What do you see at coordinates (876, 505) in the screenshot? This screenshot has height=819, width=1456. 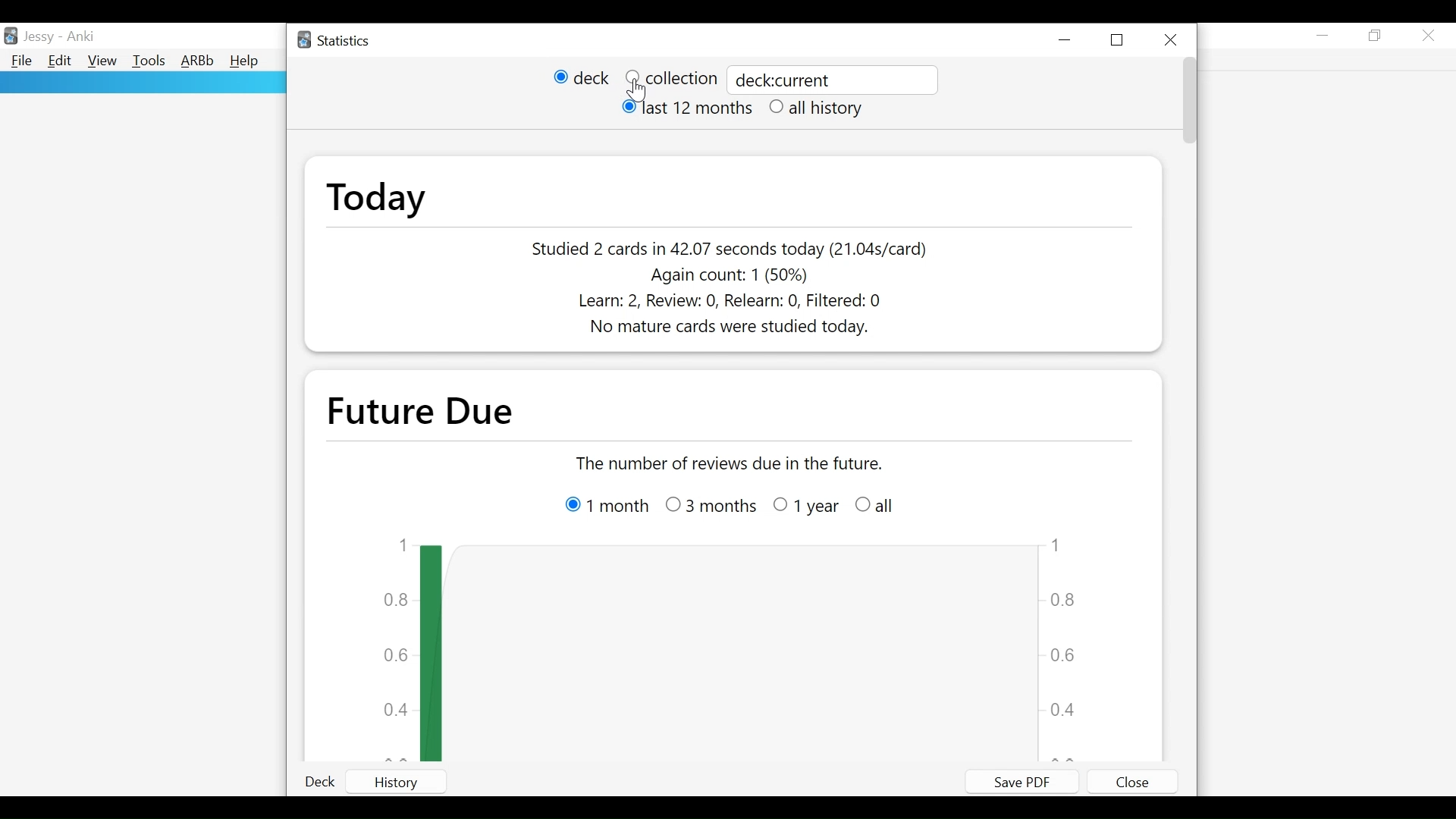 I see `(un)select all` at bounding box center [876, 505].